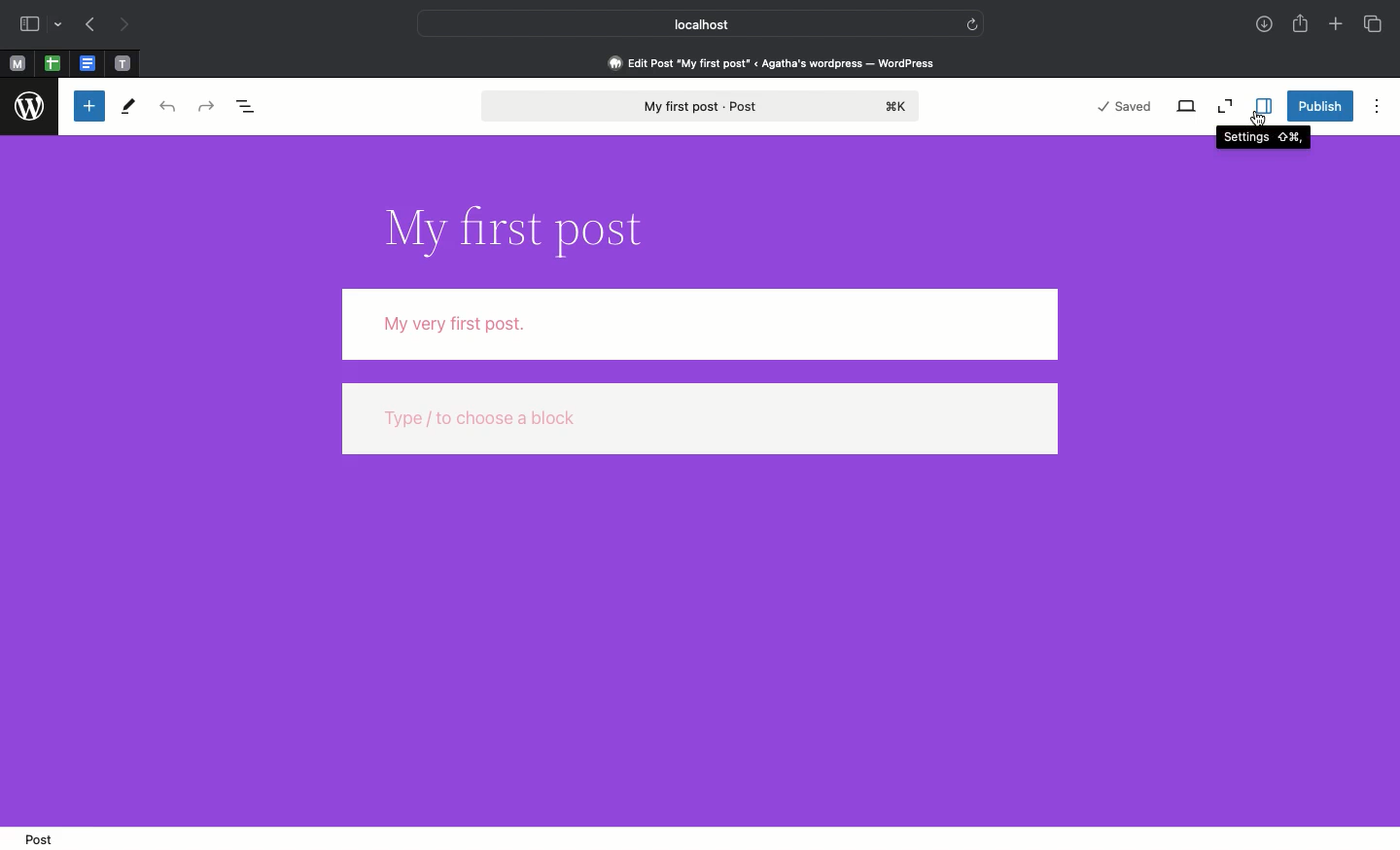  Describe the element at coordinates (1258, 119) in the screenshot. I see `cursor` at that location.